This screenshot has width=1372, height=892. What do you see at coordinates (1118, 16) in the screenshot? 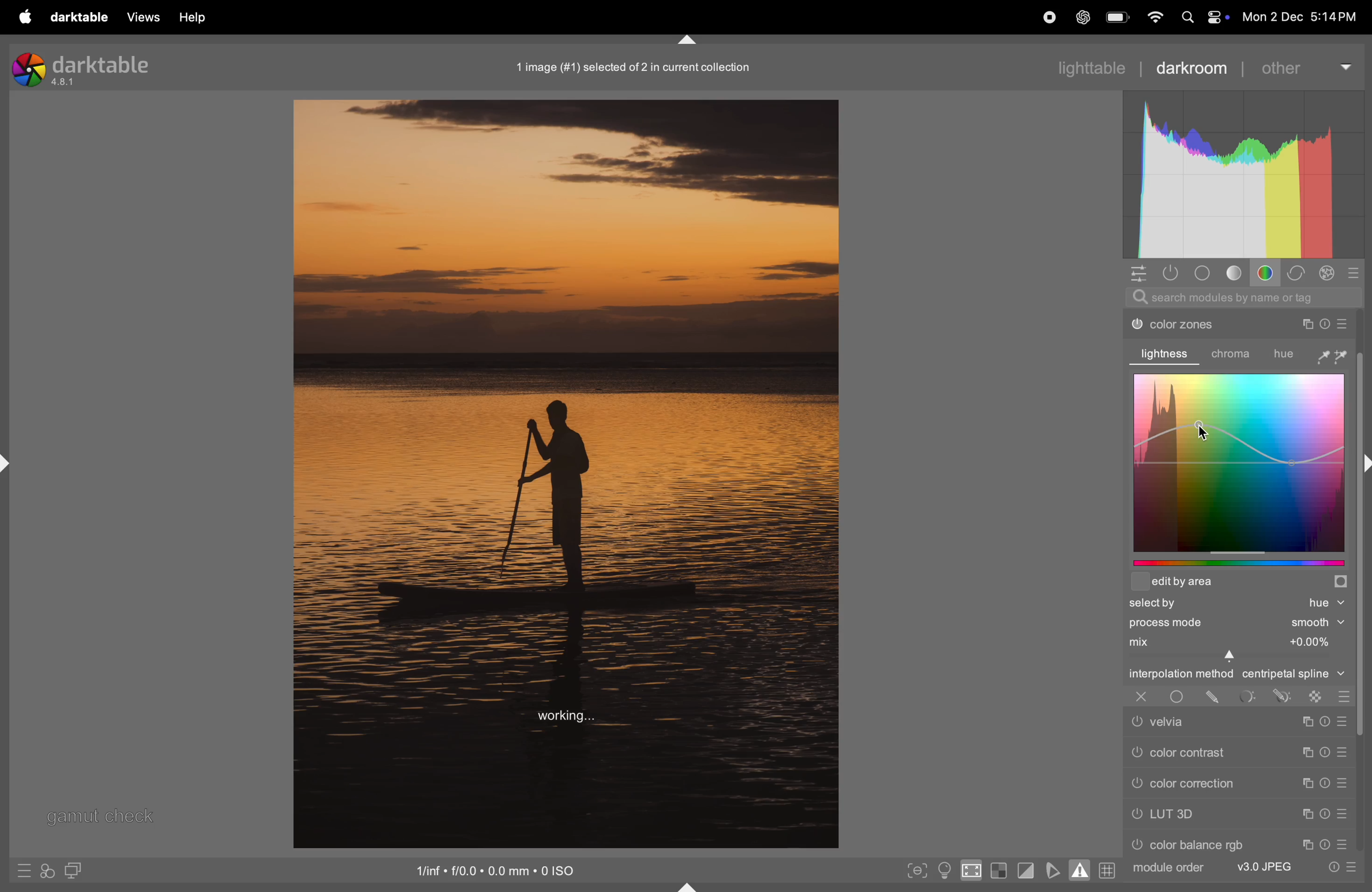
I see `battery` at bounding box center [1118, 16].